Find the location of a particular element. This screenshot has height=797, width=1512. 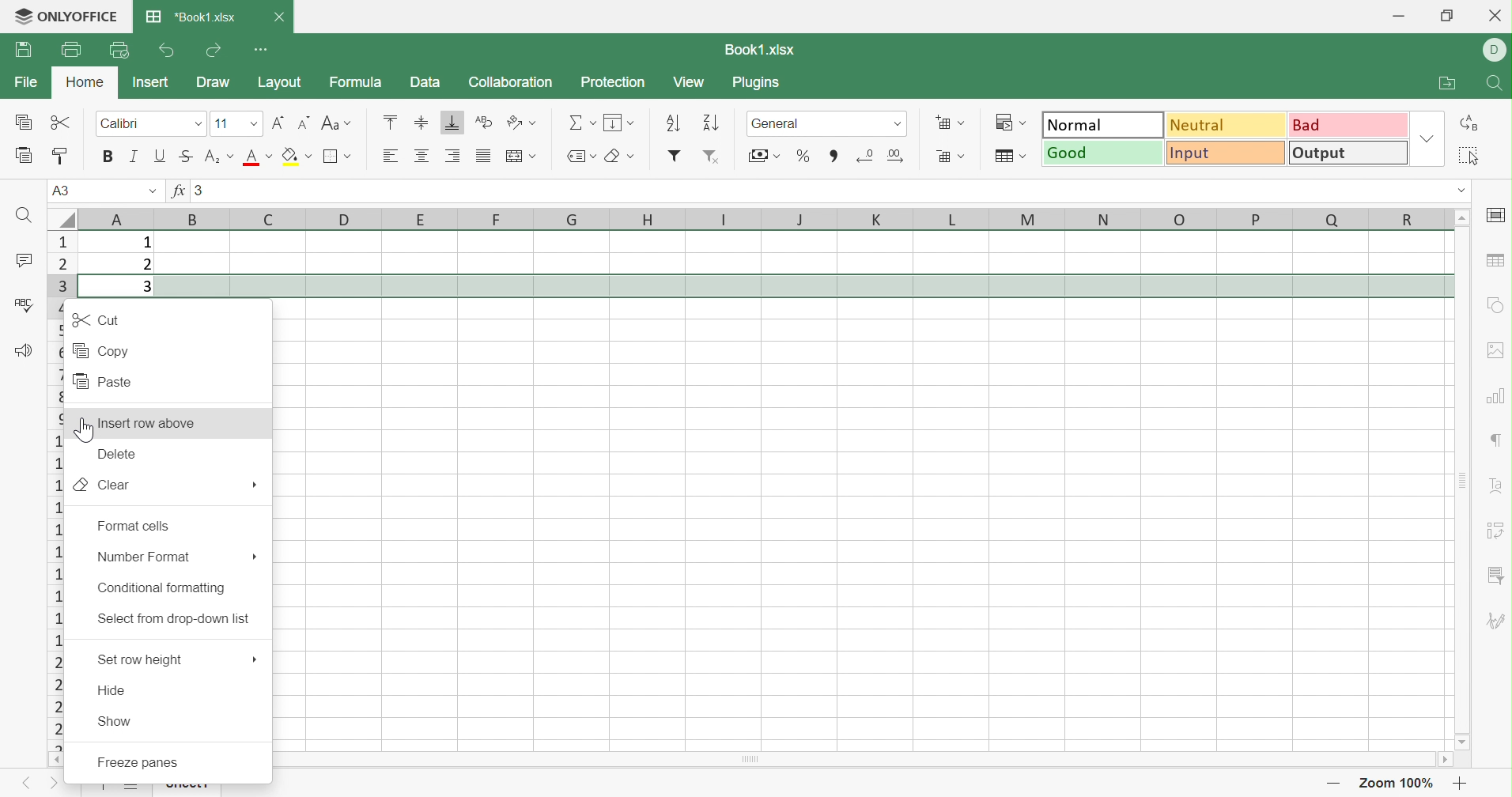

1 is located at coordinates (198, 191).